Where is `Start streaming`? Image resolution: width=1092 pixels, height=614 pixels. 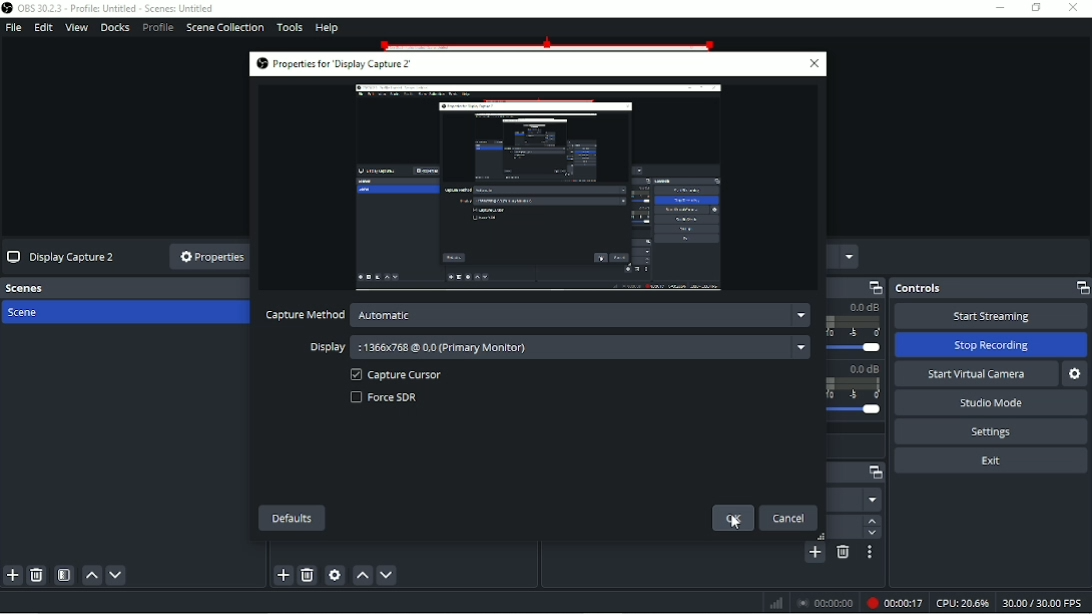
Start streaming is located at coordinates (989, 317).